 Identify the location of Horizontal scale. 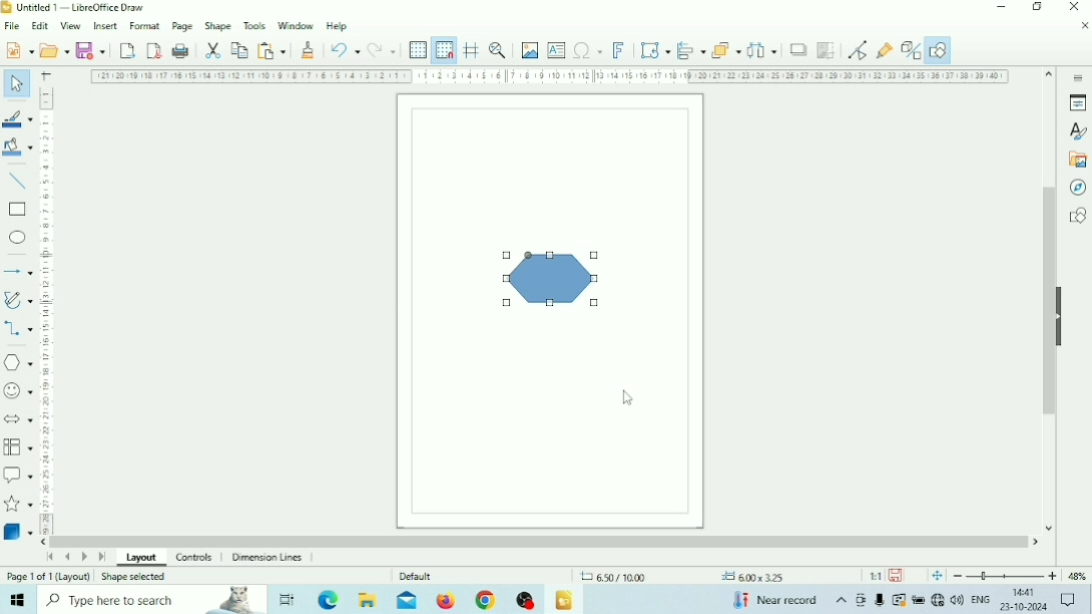
(551, 77).